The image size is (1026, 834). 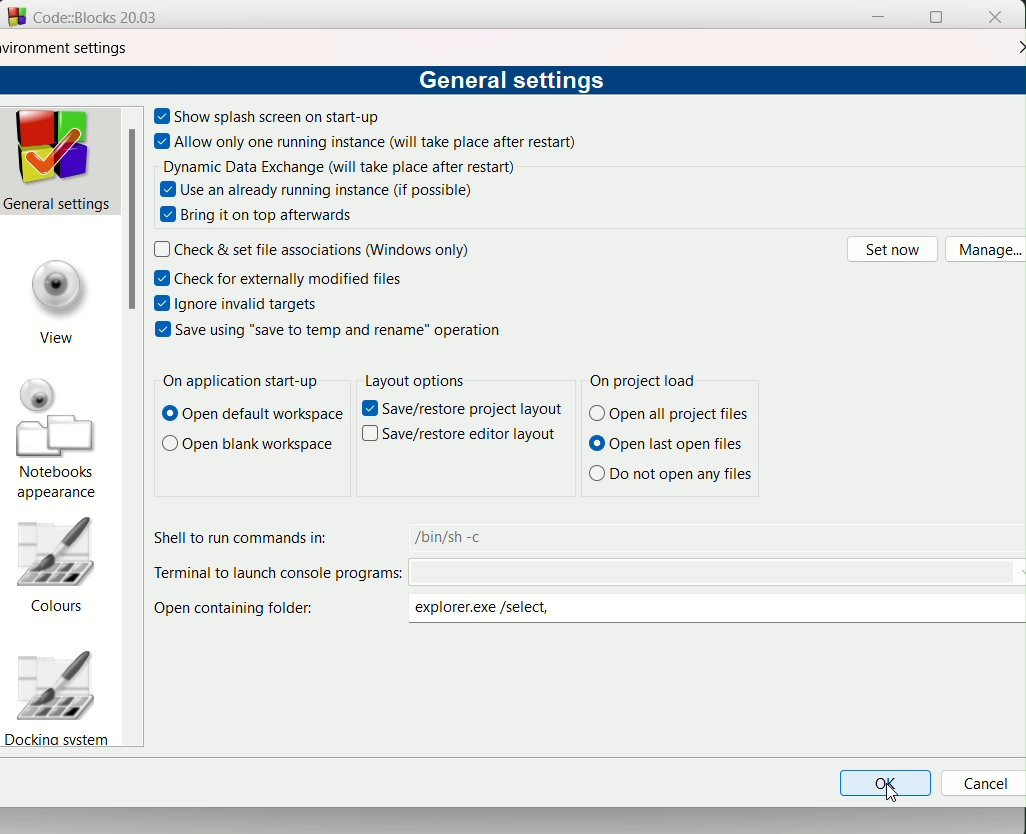 What do you see at coordinates (885, 785) in the screenshot?
I see `ok` at bounding box center [885, 785].